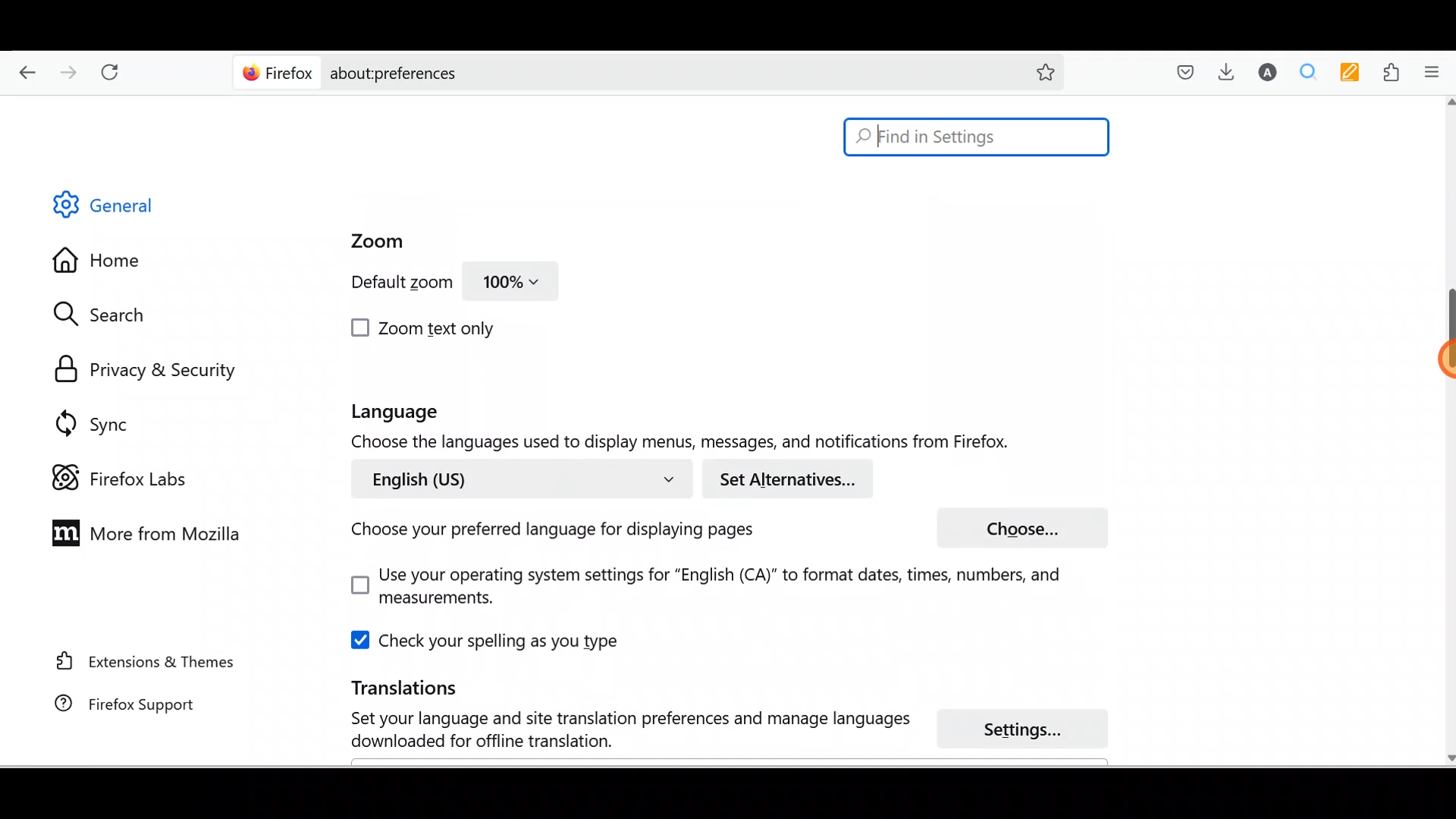 Image resolution: width=1456 pixels, height=819 pixels. Describe the element at coordinates (152, 371) in the screenshot. I see `Privacy & security` at that location.